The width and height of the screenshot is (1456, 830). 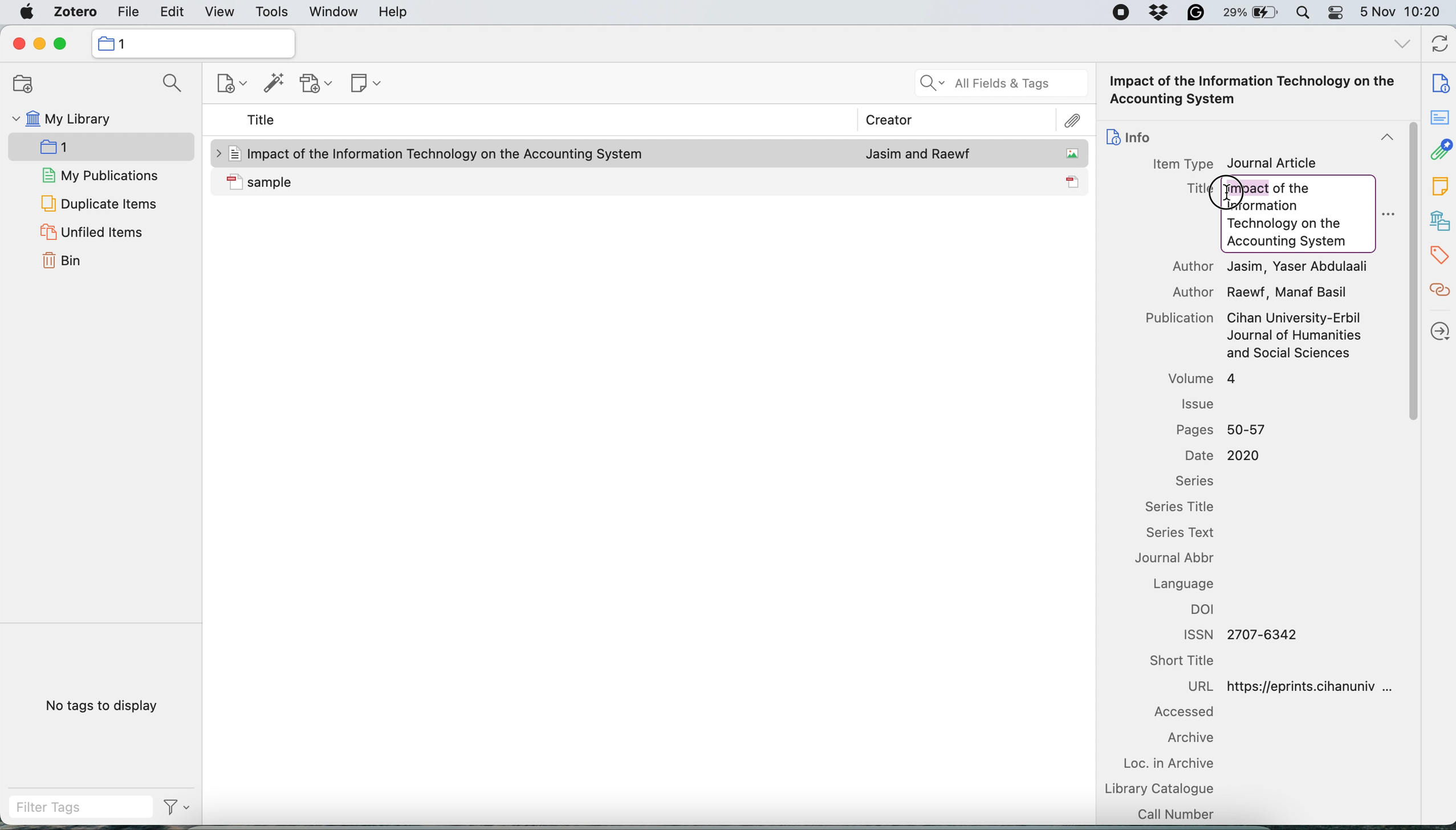 I want to click on note info, so click(x=1439, y=83).